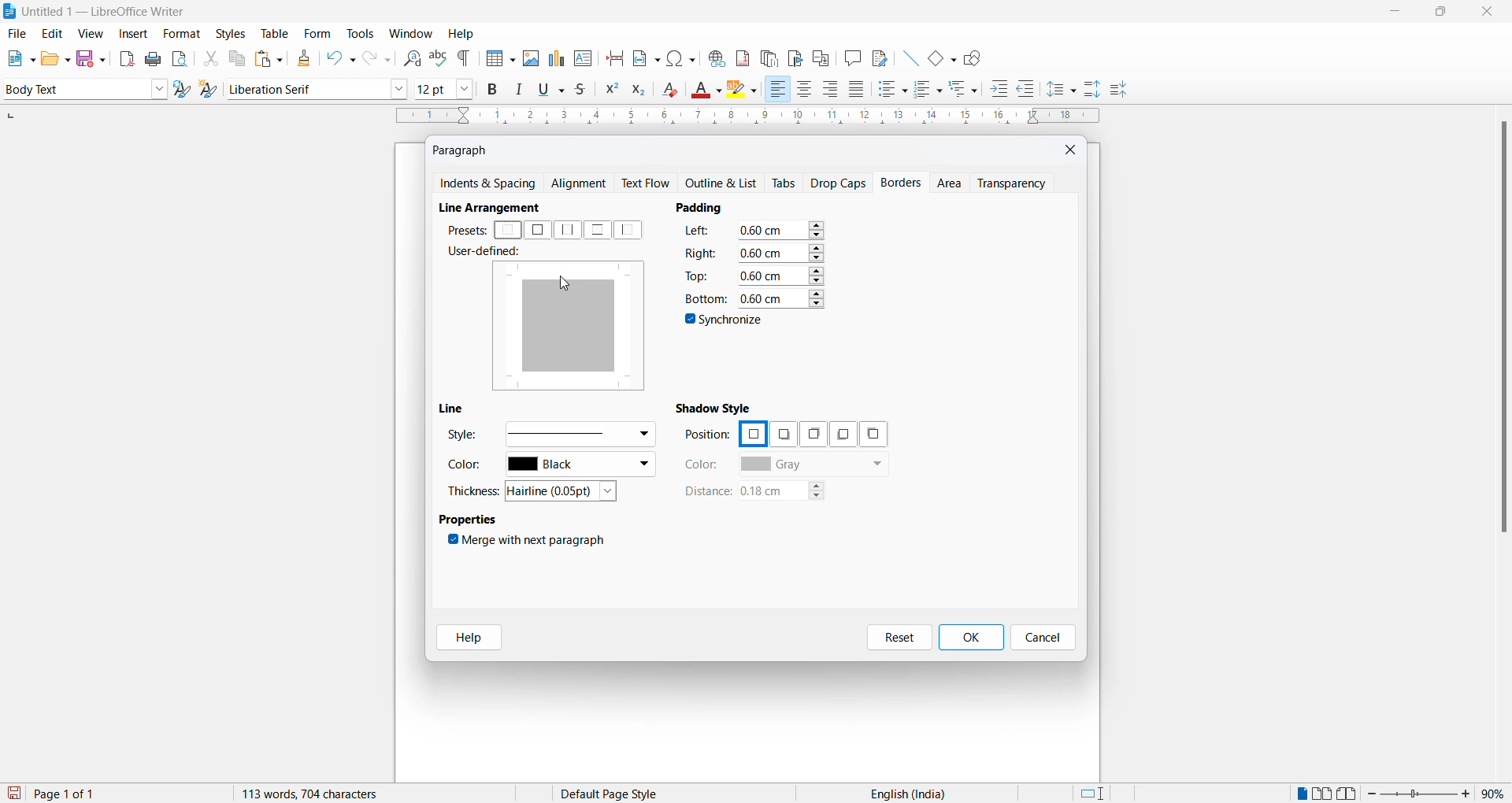 The height and width of the screenshot is (803, 1512). Describe the element at coordinates (1117, 91) in the screenshot. I see `decrease paragraph spacing` at that location.